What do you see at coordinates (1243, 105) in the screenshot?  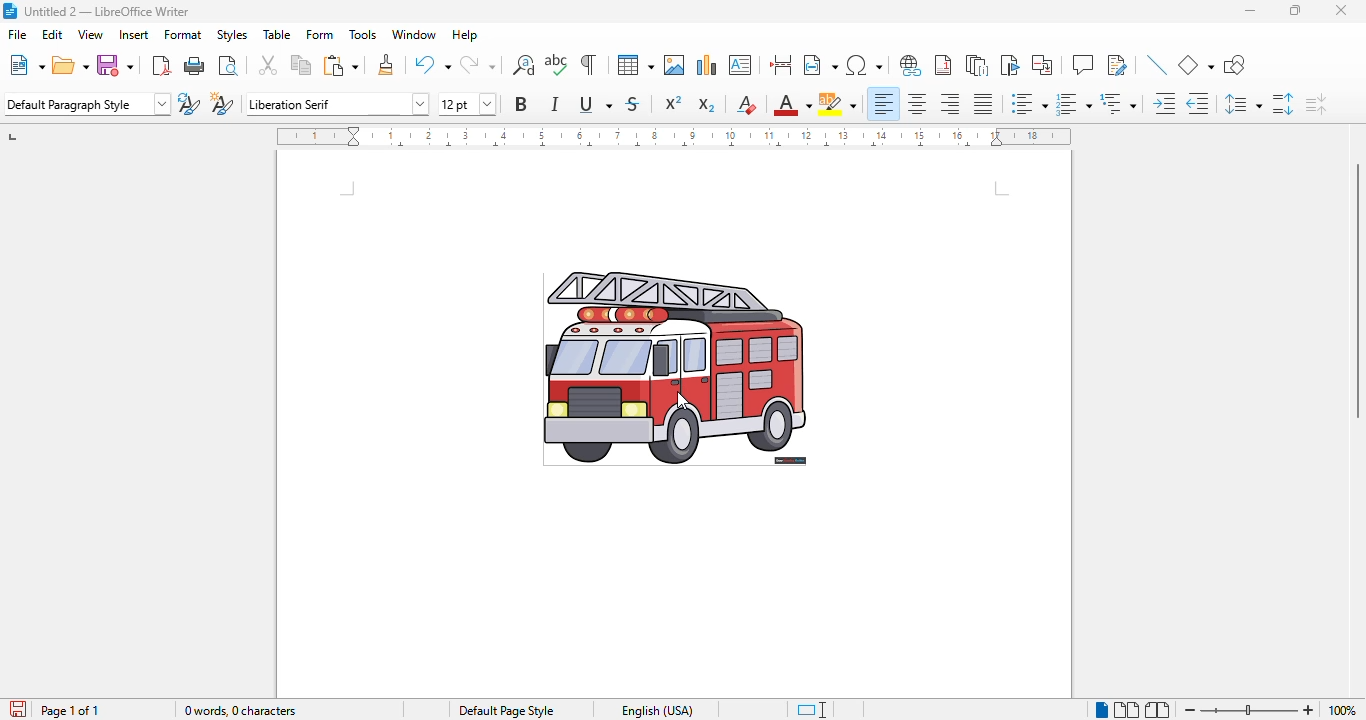 I see `set line spacing` at bounding box center [1243, 105].